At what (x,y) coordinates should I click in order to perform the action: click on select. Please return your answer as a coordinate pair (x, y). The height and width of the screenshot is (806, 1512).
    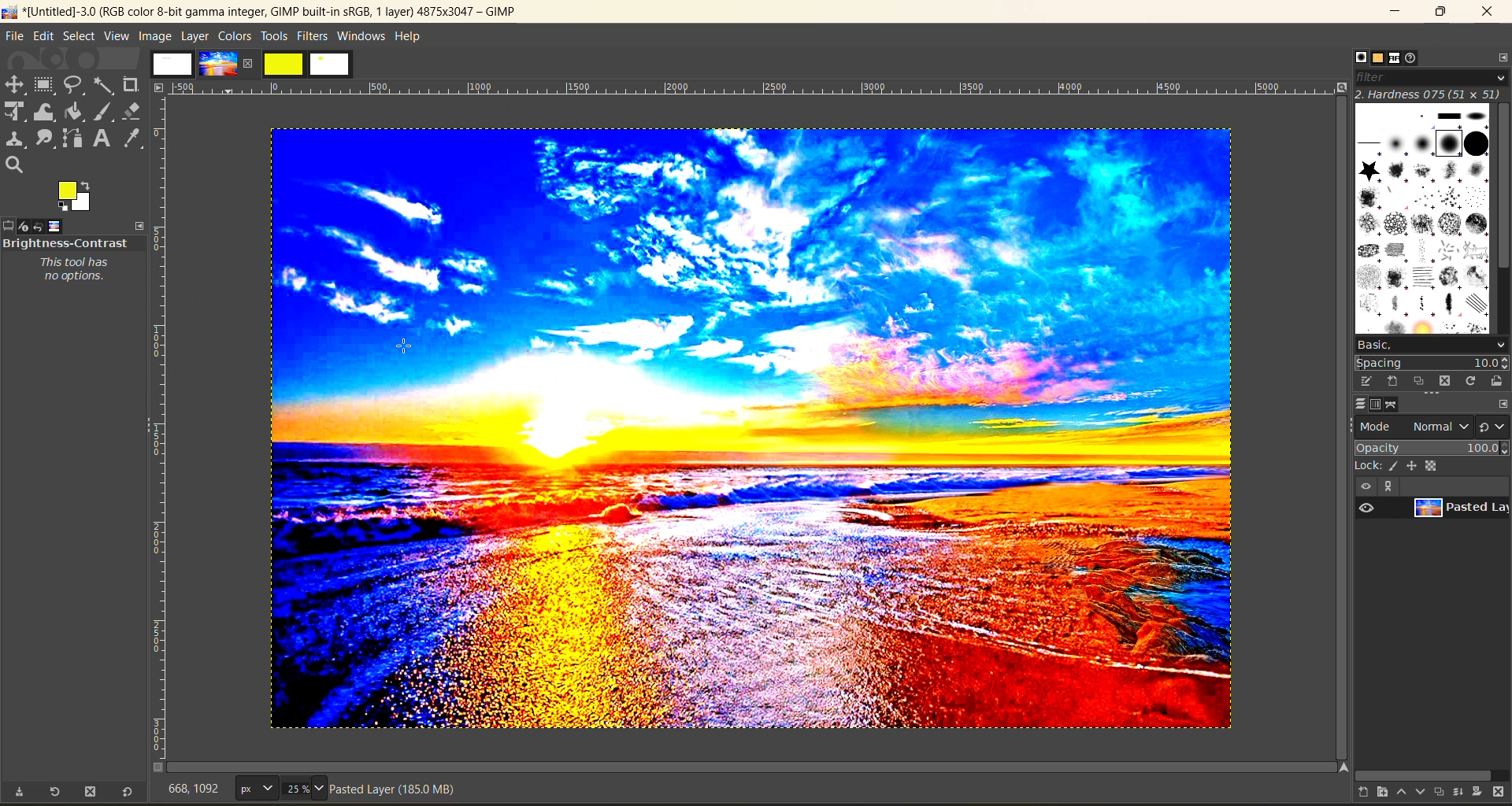
    Looking at the image, I should click on (81, 37).